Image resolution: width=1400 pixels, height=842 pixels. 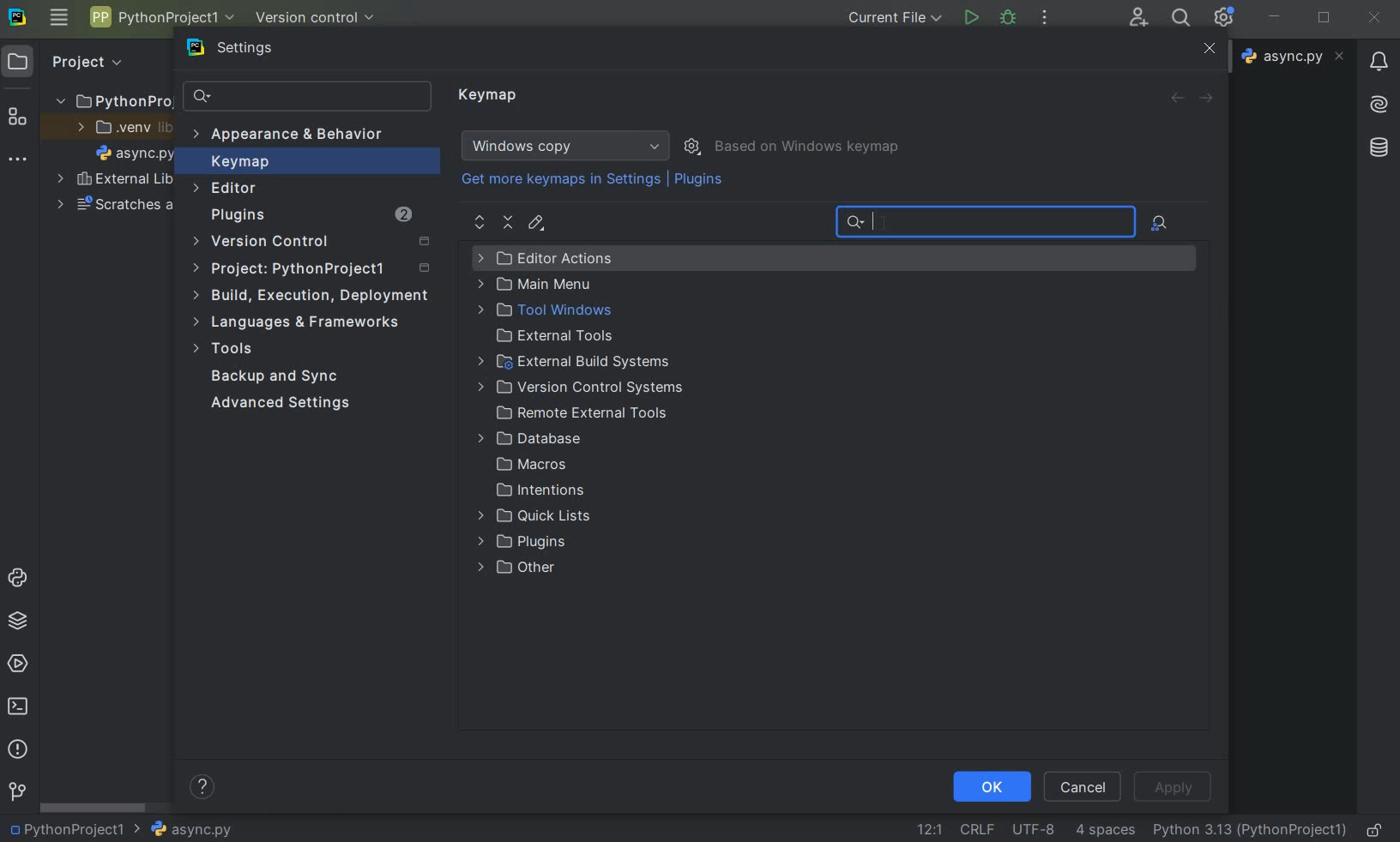 I want to click on main menu, so click(x=540, y=285).